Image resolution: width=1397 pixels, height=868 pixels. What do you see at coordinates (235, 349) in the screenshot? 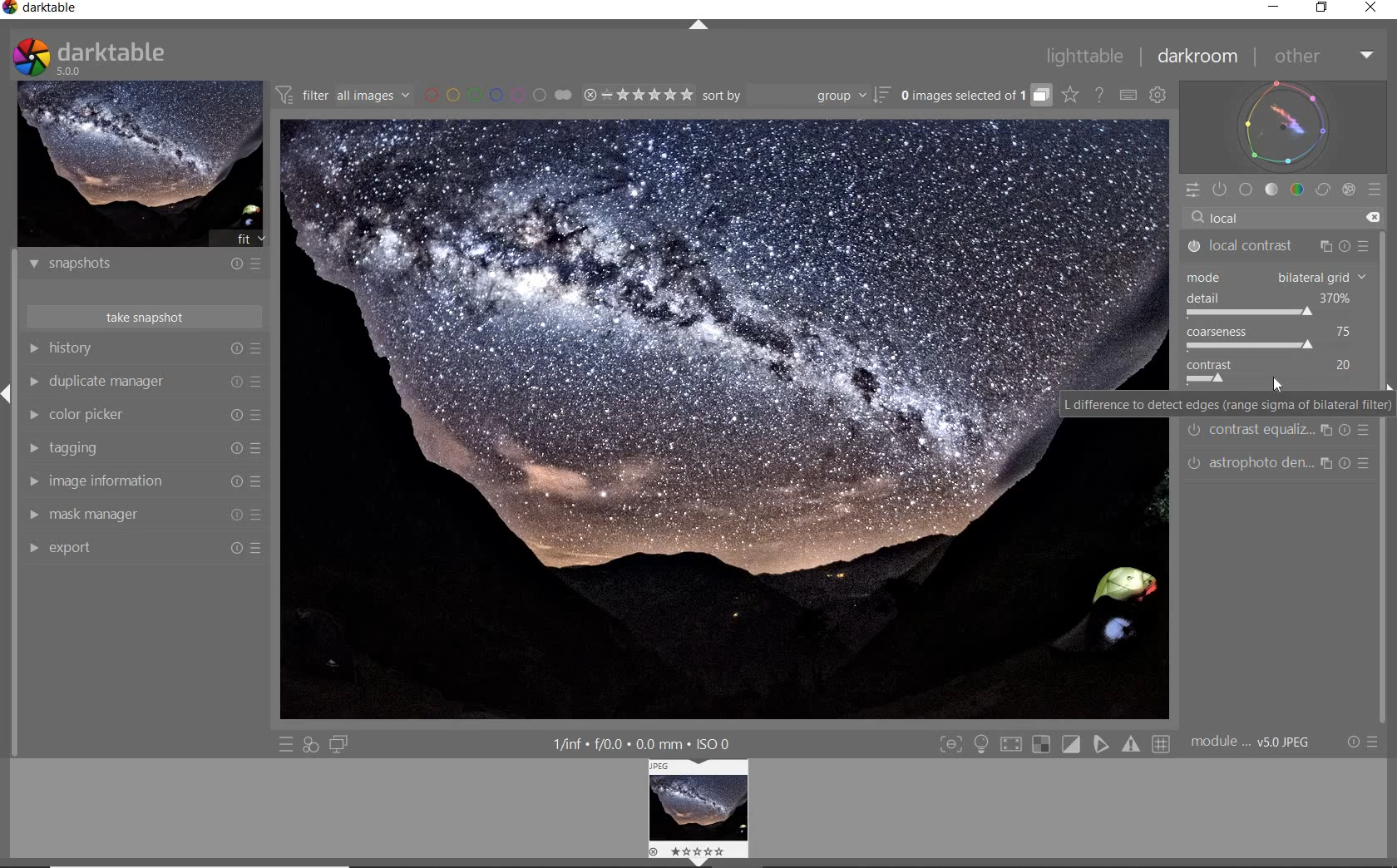
I see `reset` at bounding box center [235, 349].